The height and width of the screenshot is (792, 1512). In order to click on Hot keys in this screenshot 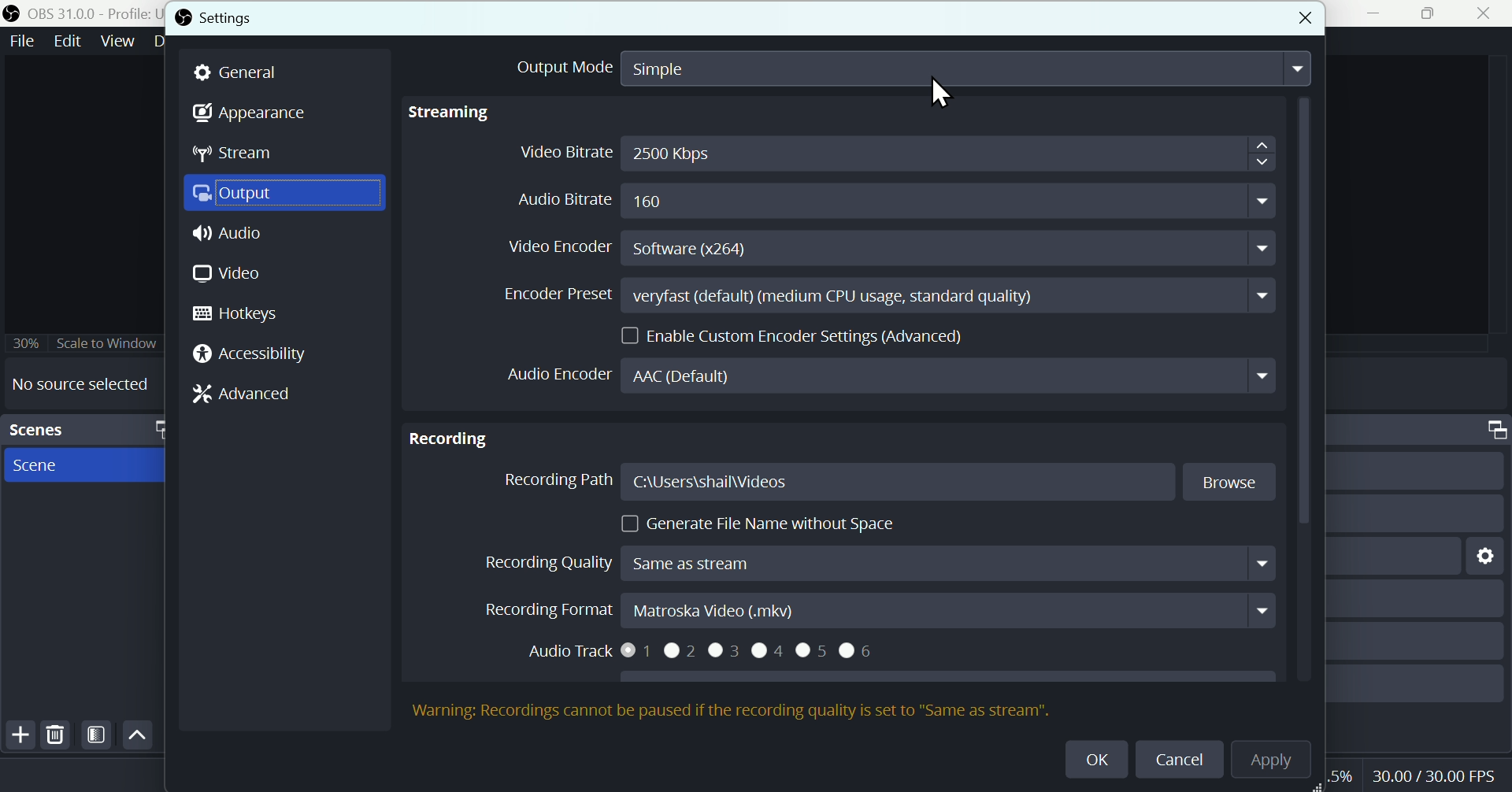, I will do `click(246, 314)`.